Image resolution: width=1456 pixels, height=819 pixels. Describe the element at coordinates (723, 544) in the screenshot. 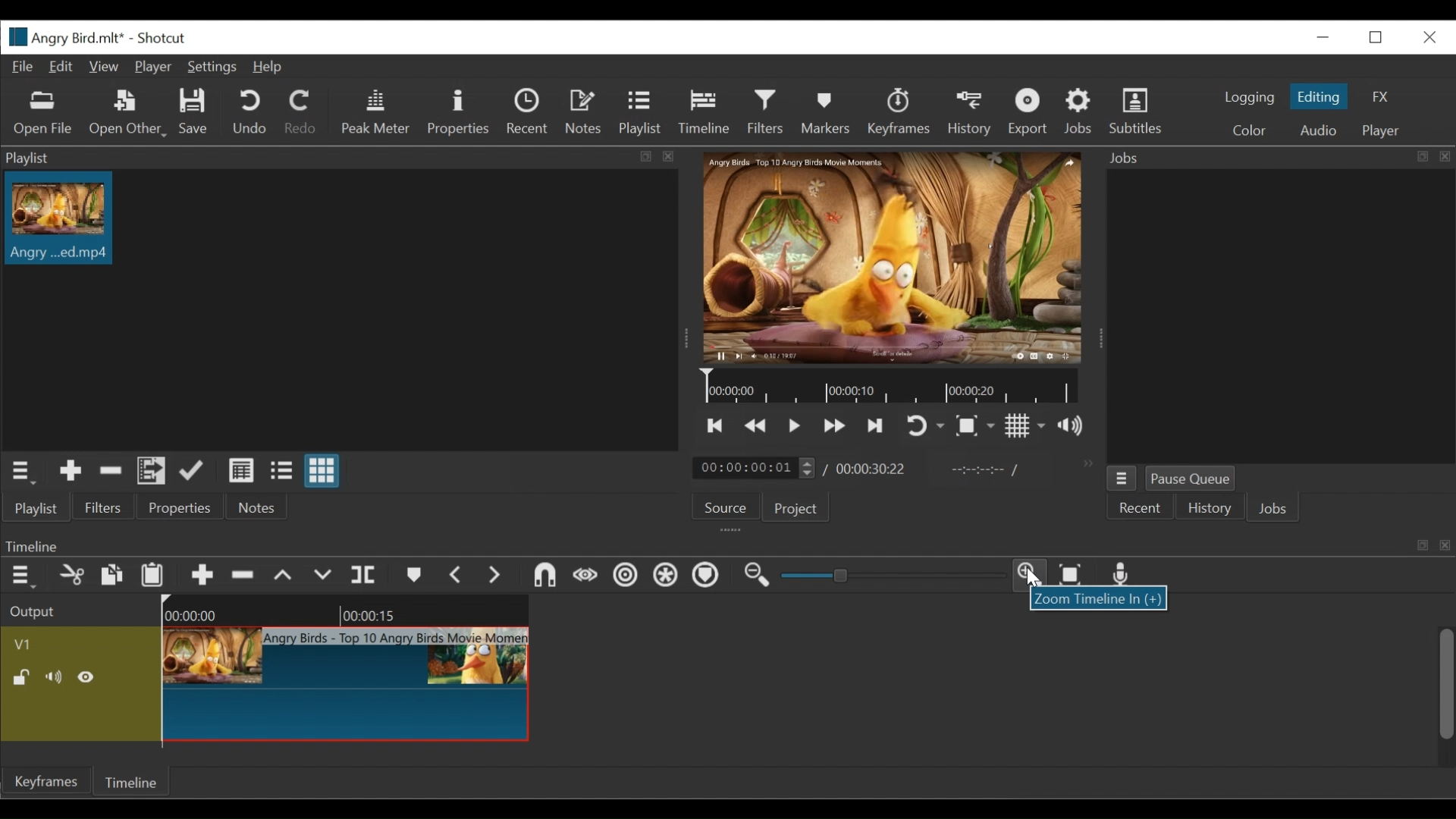

I see `Timeline Panel` at that location.